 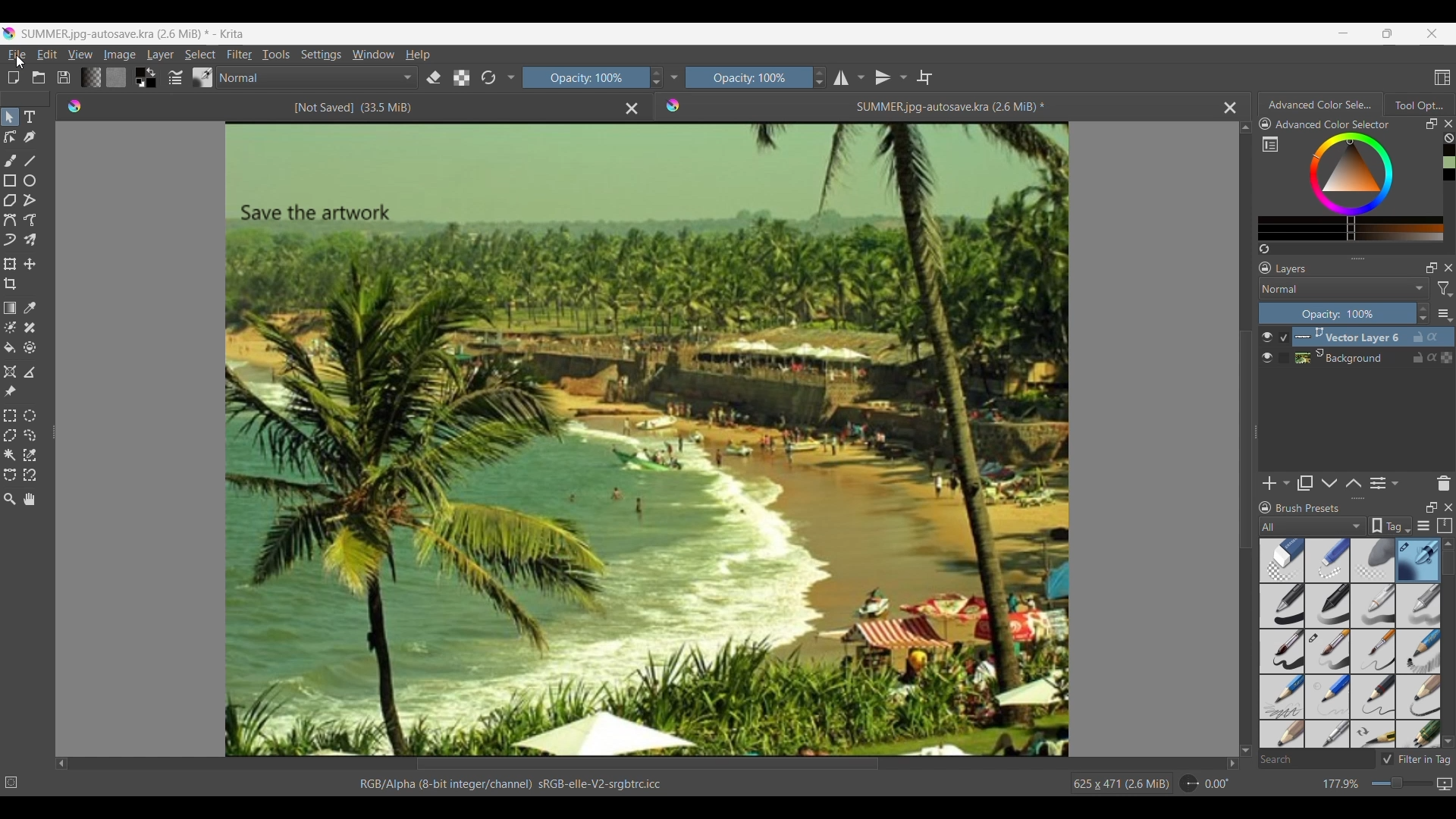 I want to click on Increase/Decrease opacity, so click(x=655, y=77).